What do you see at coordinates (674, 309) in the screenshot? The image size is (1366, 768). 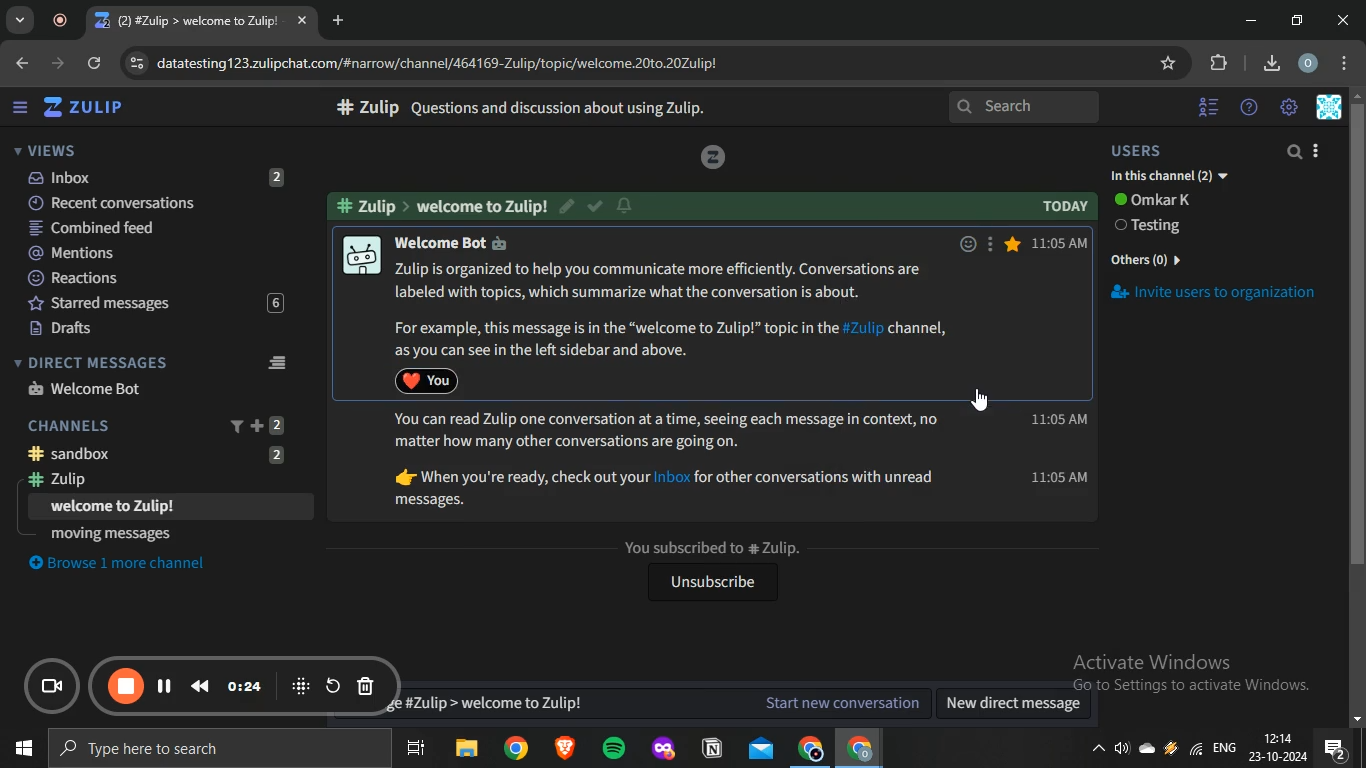 I see `zulip and channel descriptions` at bounding box center [674, 309].